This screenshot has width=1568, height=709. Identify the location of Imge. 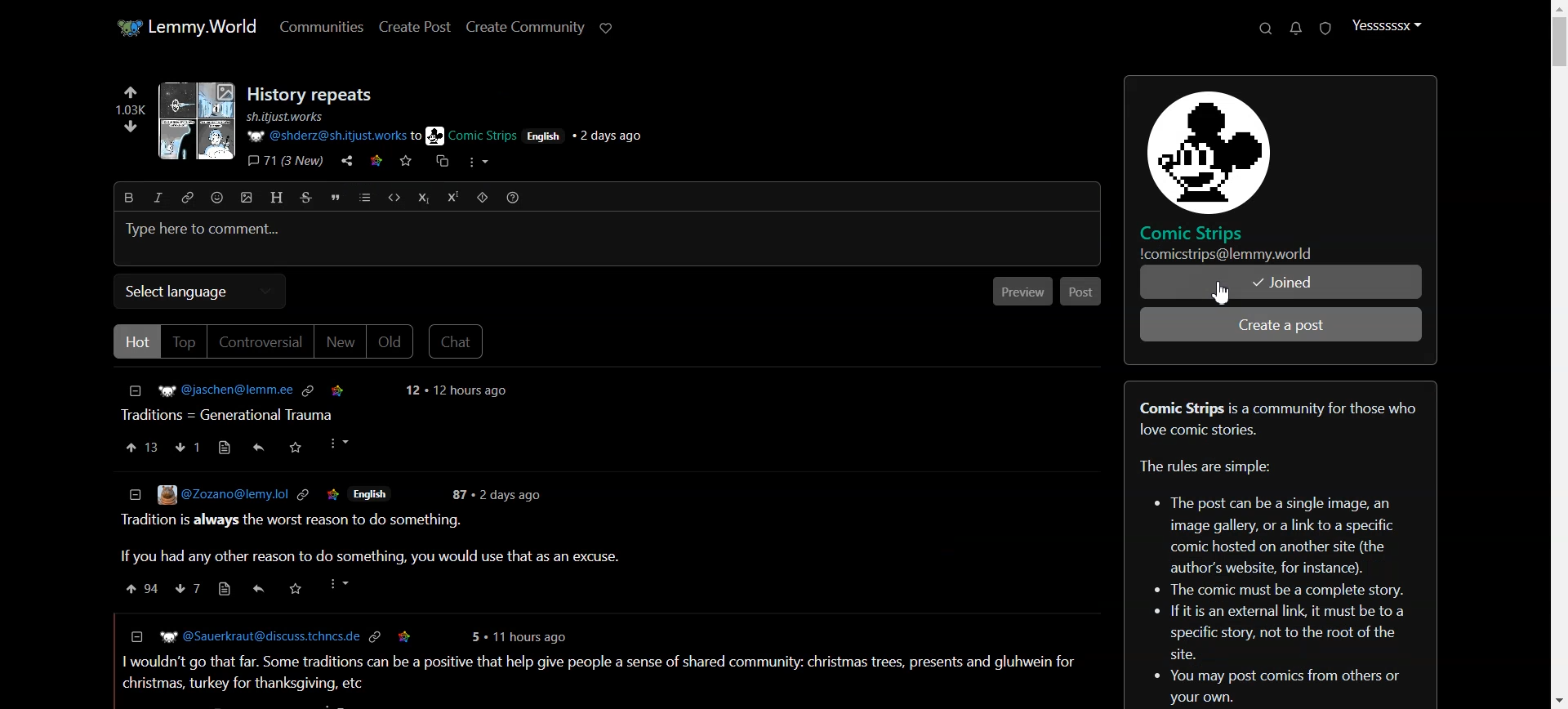
(193, 123).